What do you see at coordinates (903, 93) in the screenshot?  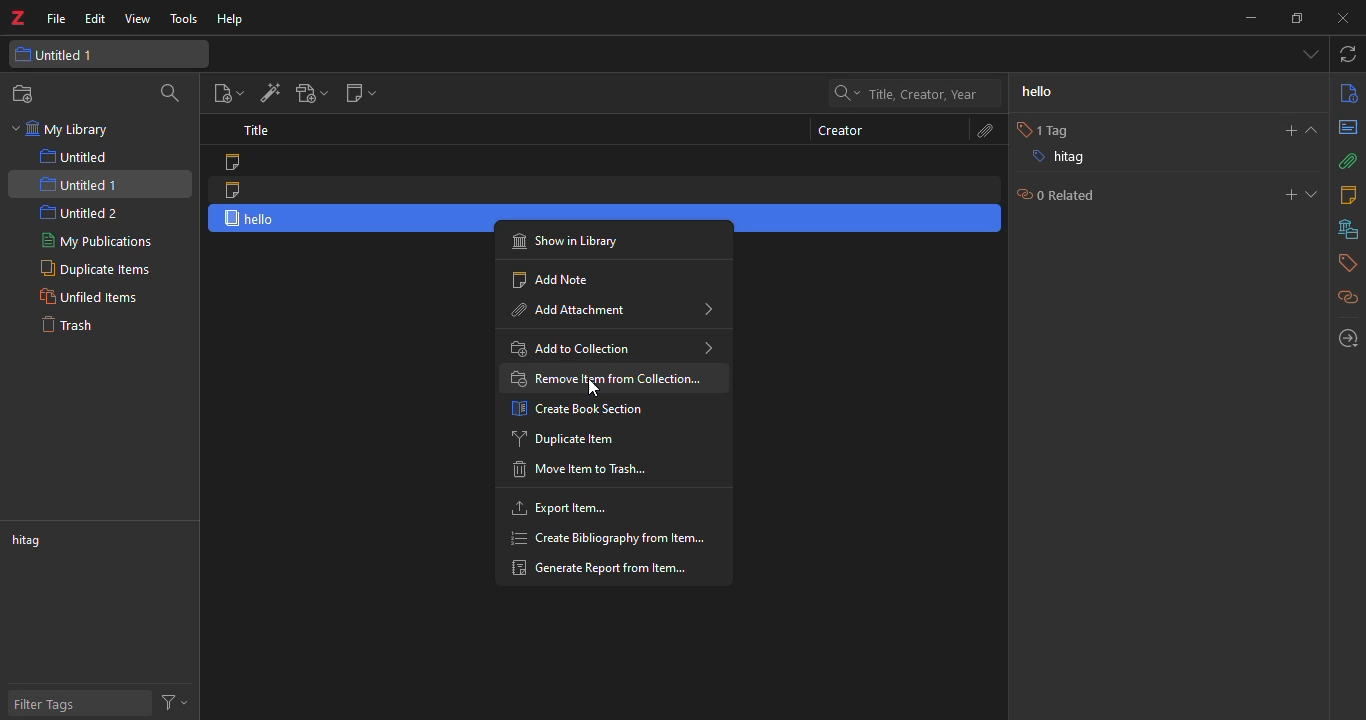 I see `search` at bounding box center [903, 93].